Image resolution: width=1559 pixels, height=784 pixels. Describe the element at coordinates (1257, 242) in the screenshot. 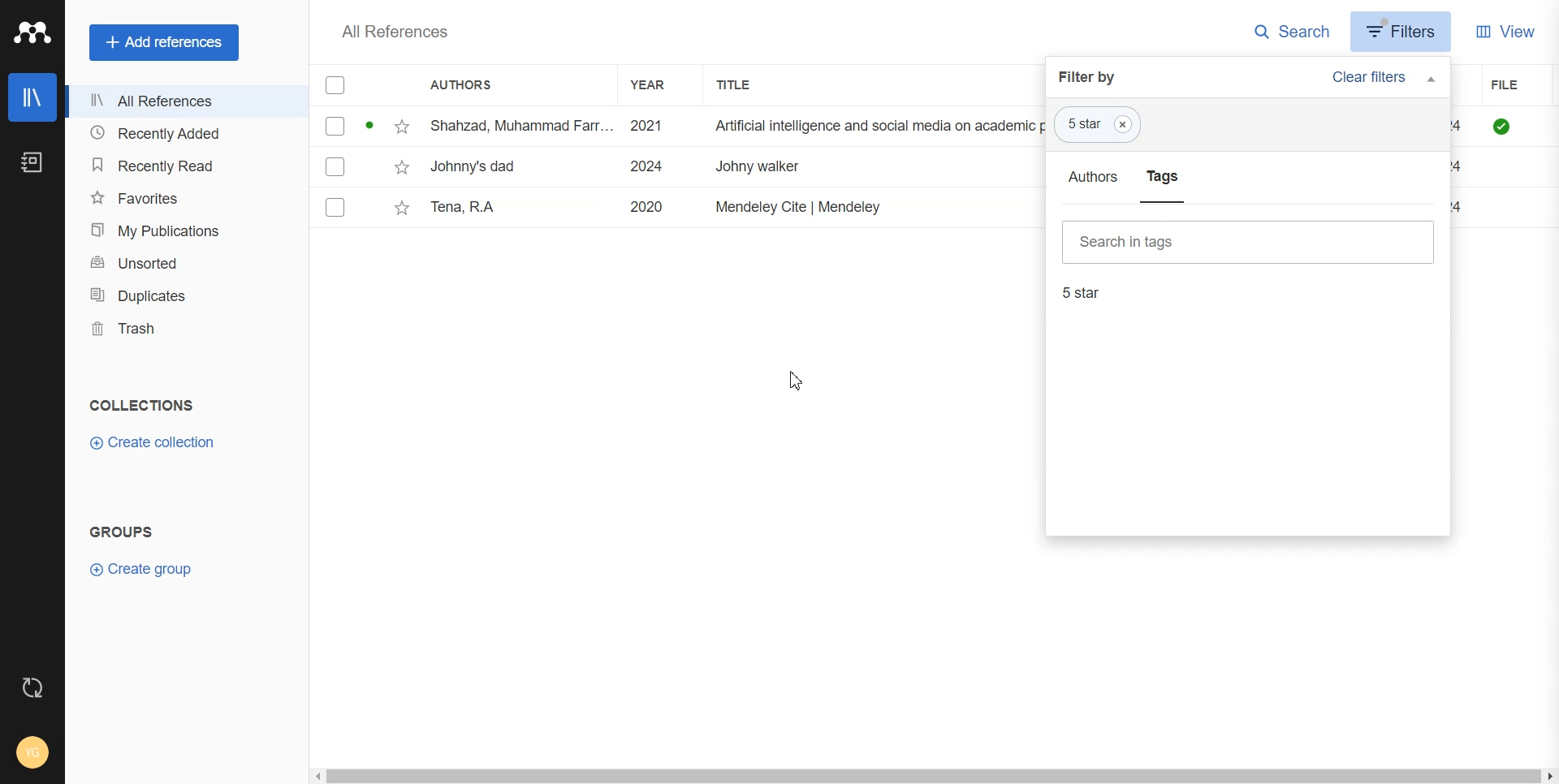

I see `Search bar` at that location.